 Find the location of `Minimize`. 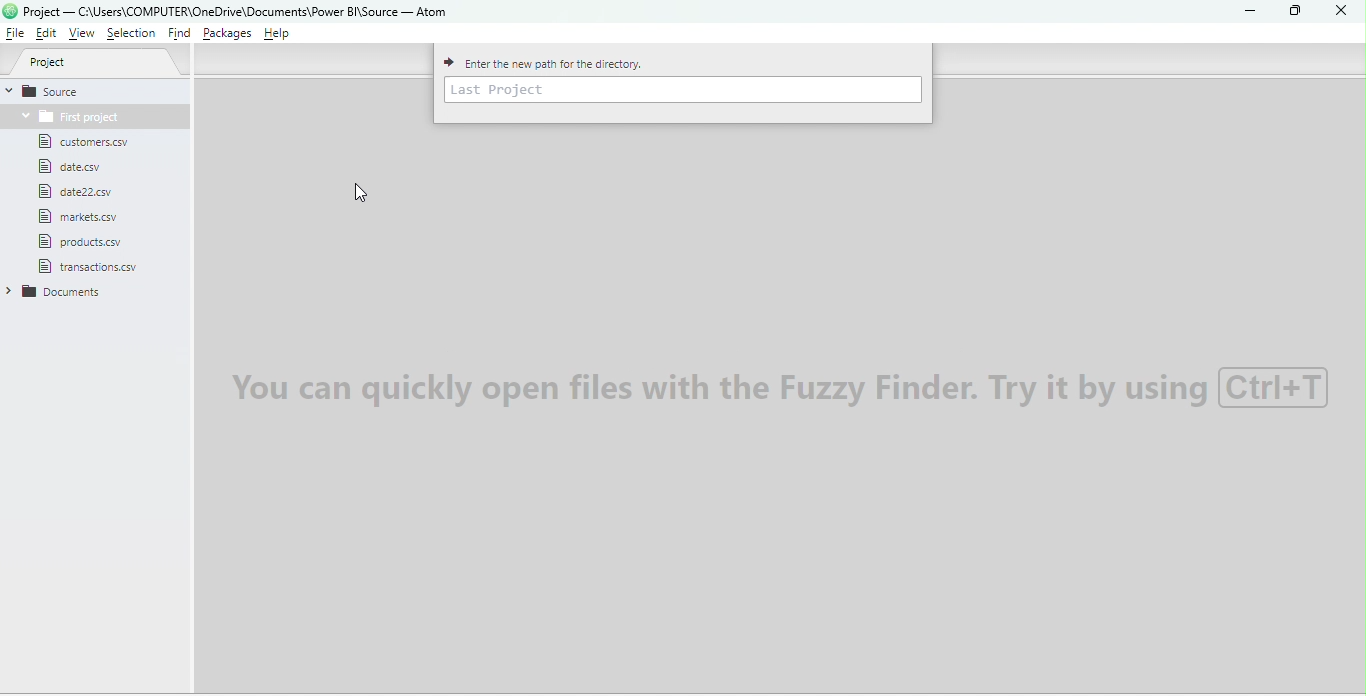

Minimize is located at coordinates (1247, 11).